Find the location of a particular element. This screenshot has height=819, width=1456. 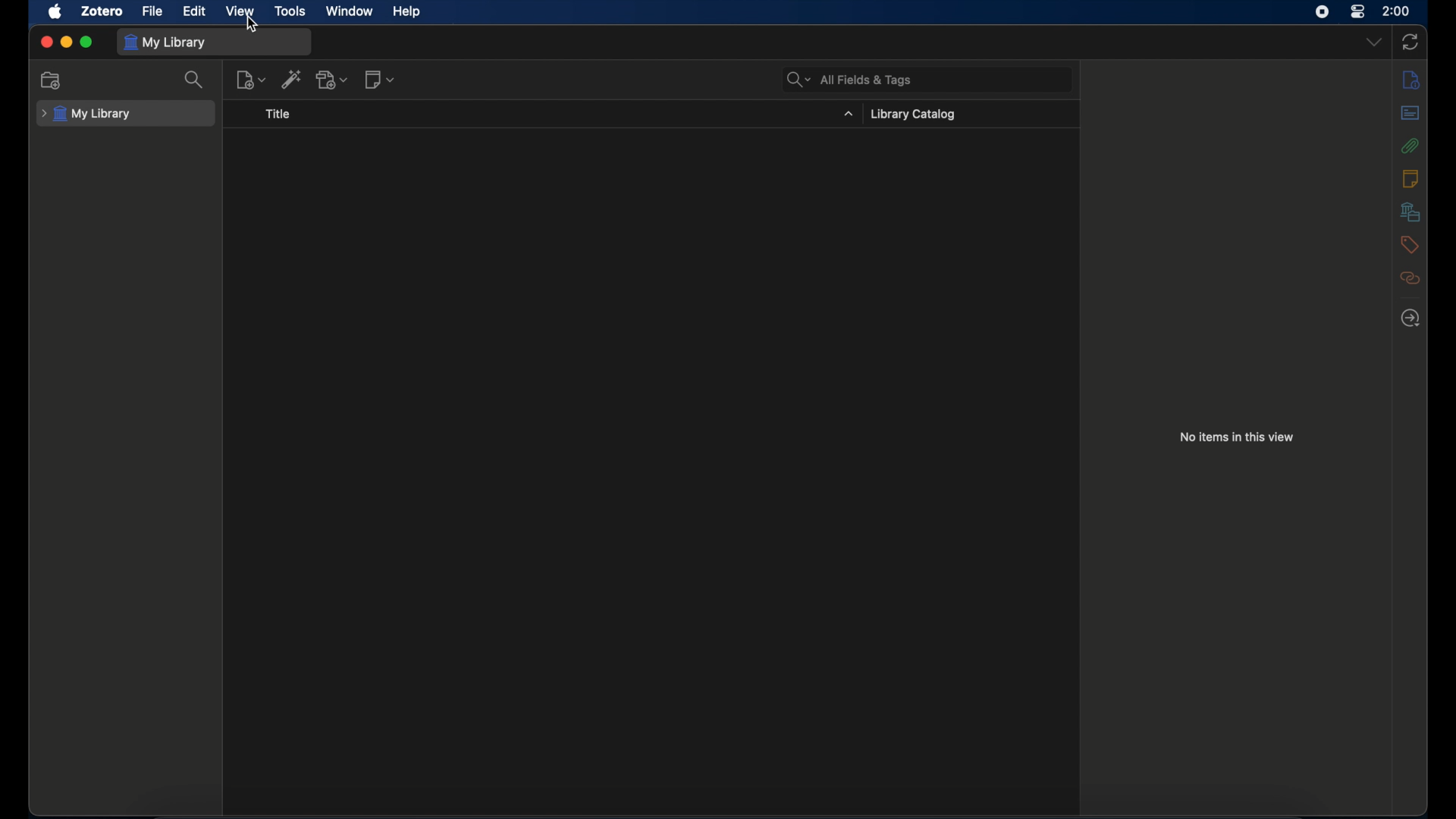

new collection is located at coordinates (52, 80).